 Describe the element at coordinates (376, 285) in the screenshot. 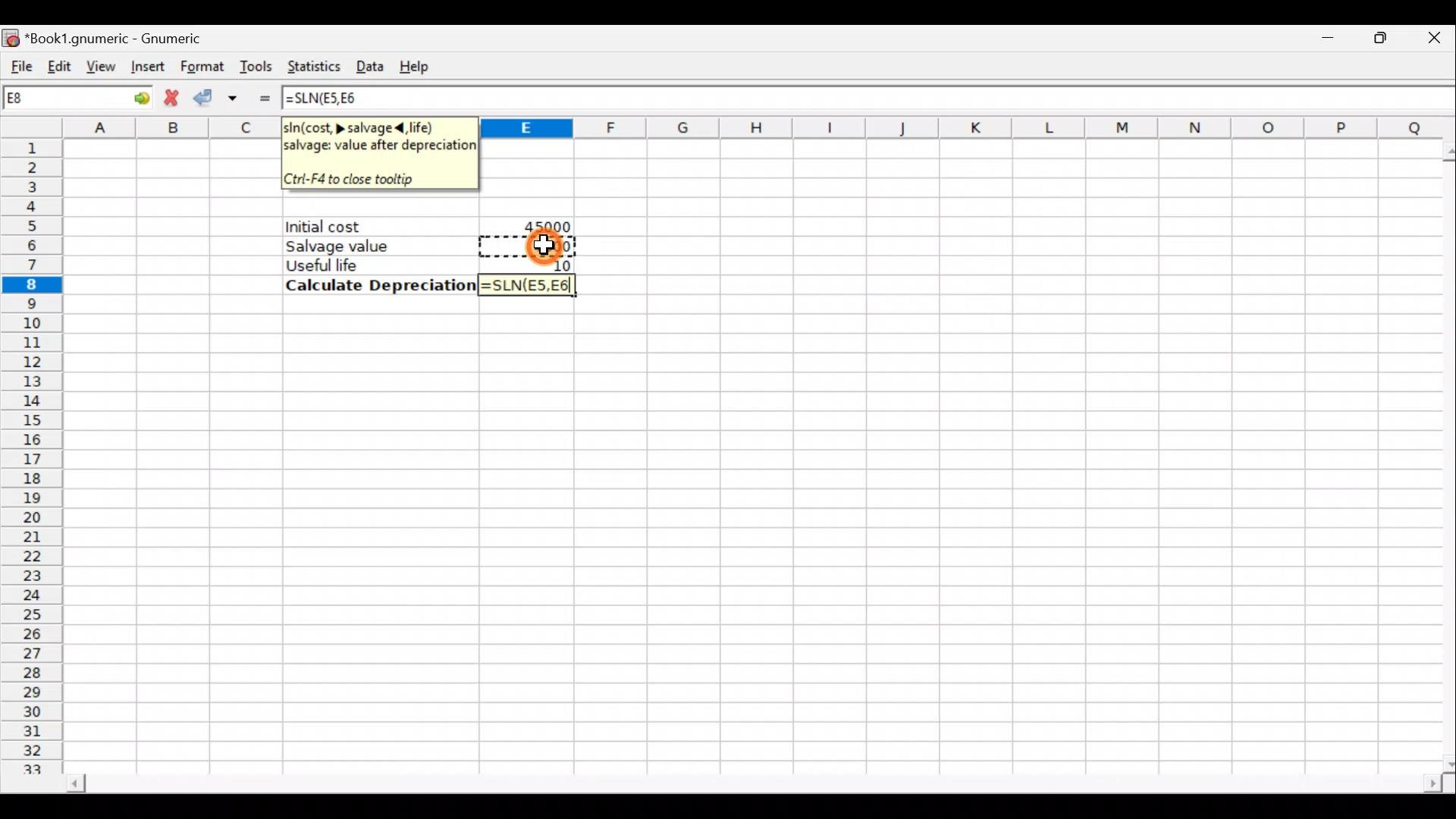

I see `Calculate Depreciation` at that location.